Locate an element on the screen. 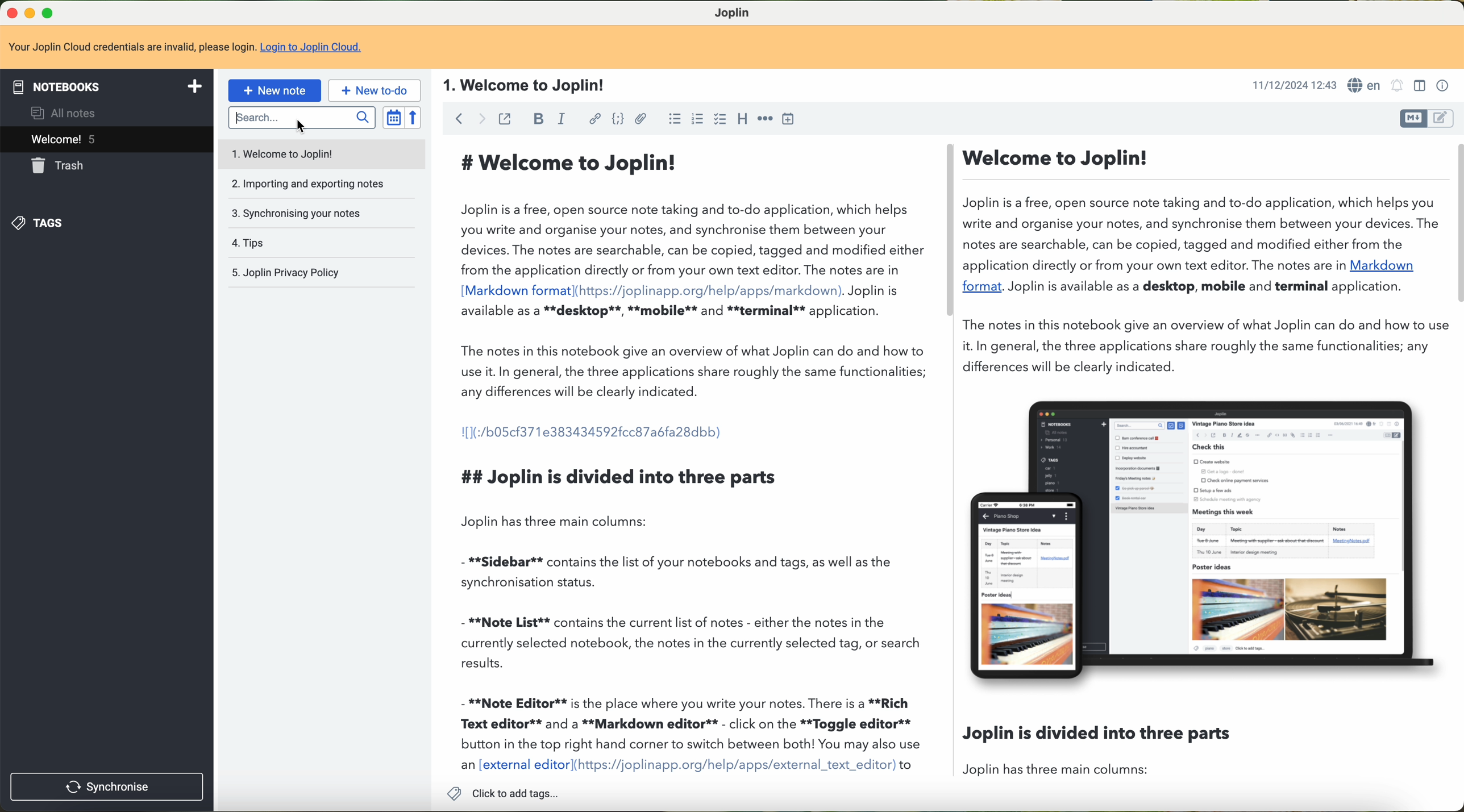  click to add tags is located at coordinates (507, 792).